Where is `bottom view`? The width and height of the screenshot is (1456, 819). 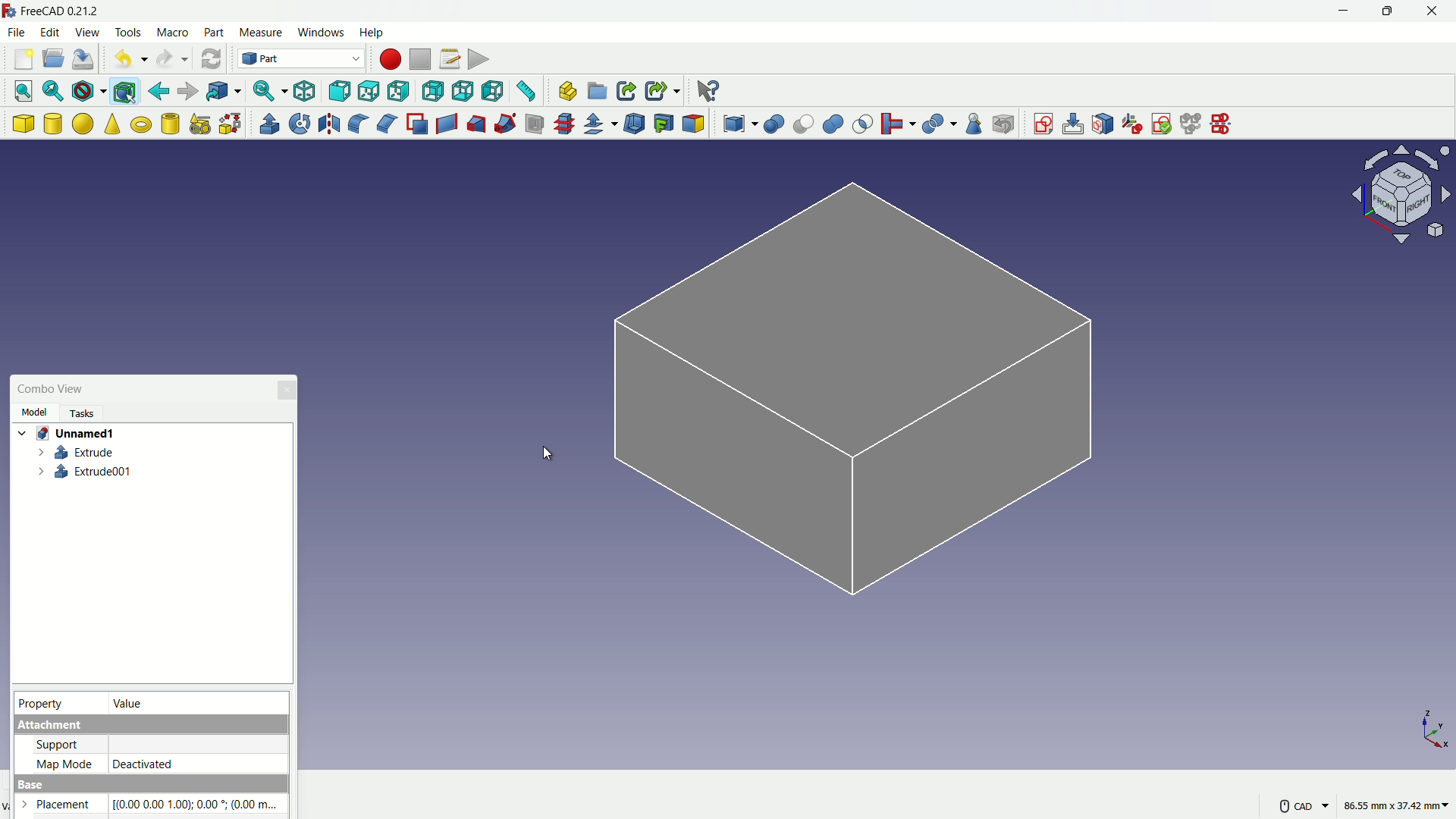 bottom view is located at coordinates (463, 90).